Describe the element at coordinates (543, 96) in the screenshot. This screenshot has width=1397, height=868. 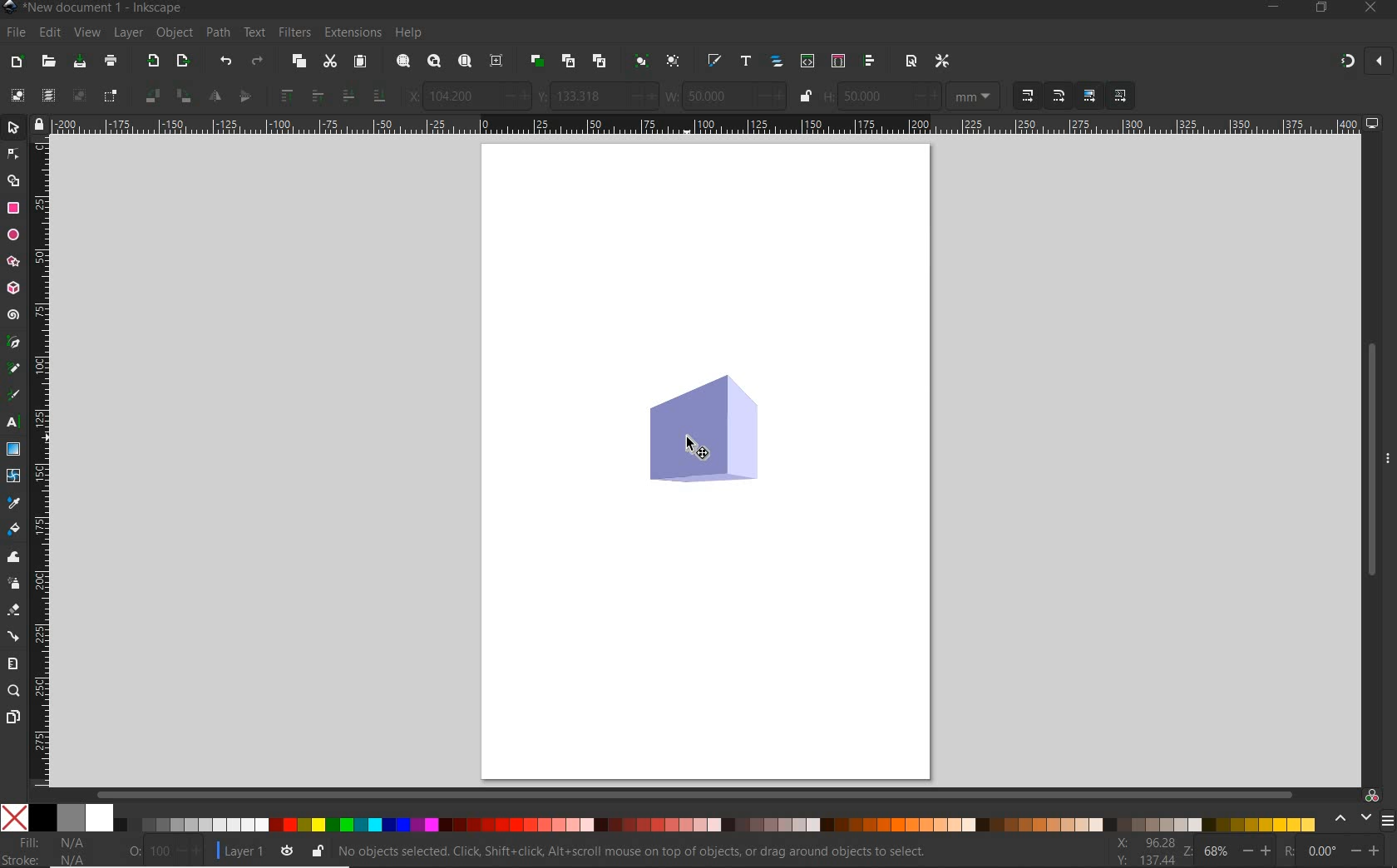
I see `y` at that location.